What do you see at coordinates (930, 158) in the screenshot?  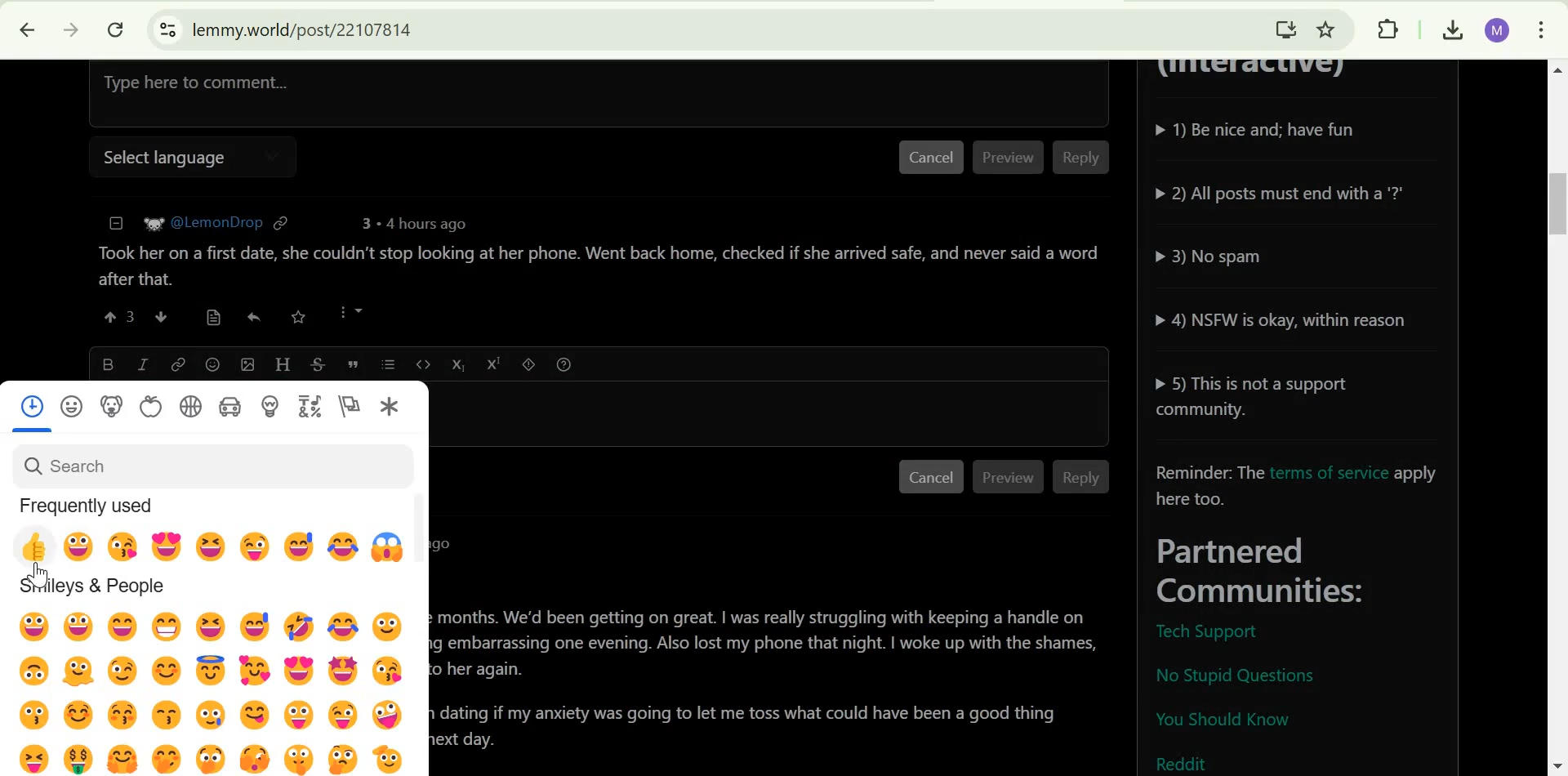 I see `Cancel` at bounding box center [930, 158].